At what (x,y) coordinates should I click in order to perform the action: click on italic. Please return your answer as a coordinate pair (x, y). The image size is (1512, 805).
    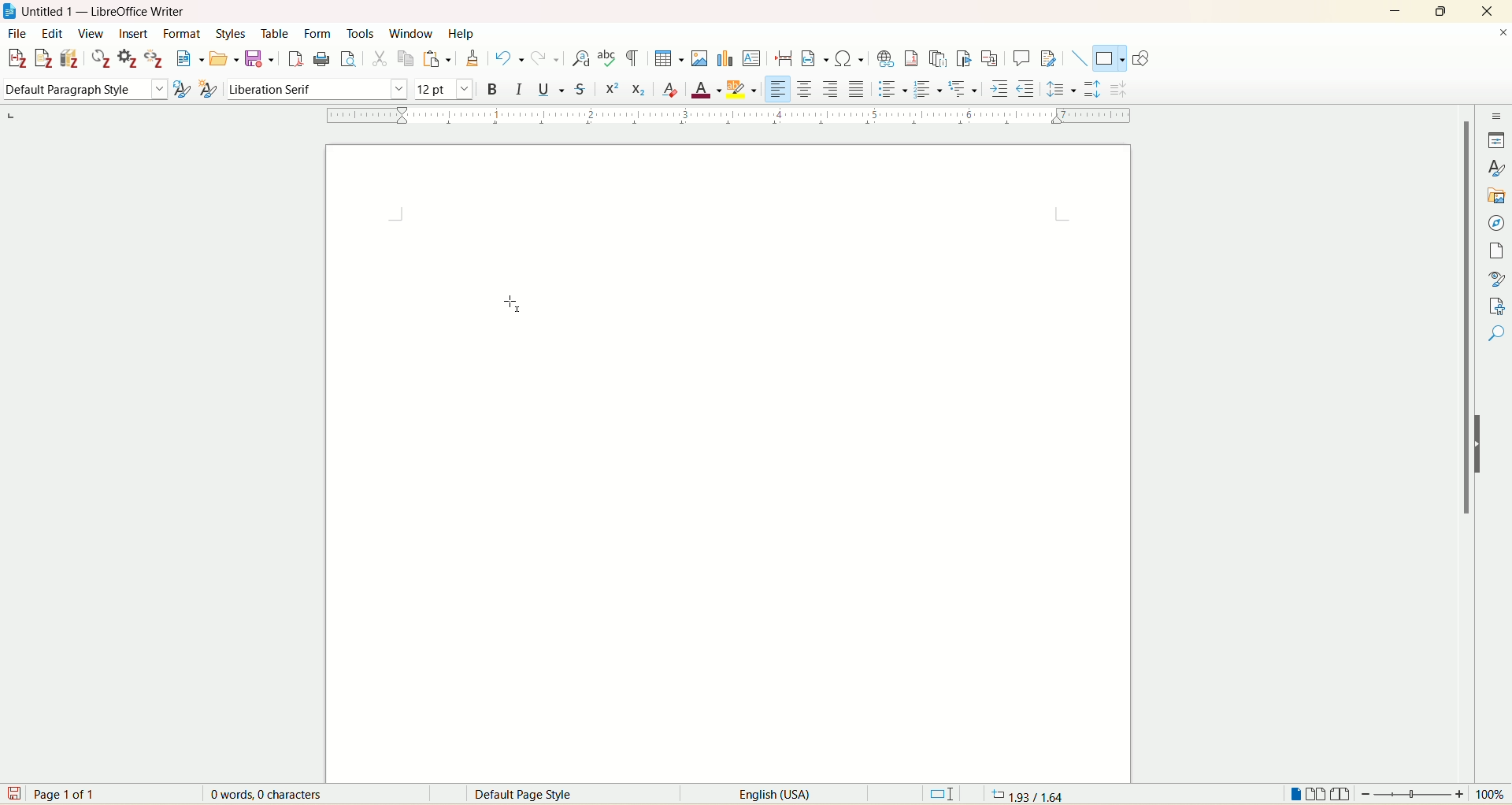
    Looking at the image, I should click on (520, 87).